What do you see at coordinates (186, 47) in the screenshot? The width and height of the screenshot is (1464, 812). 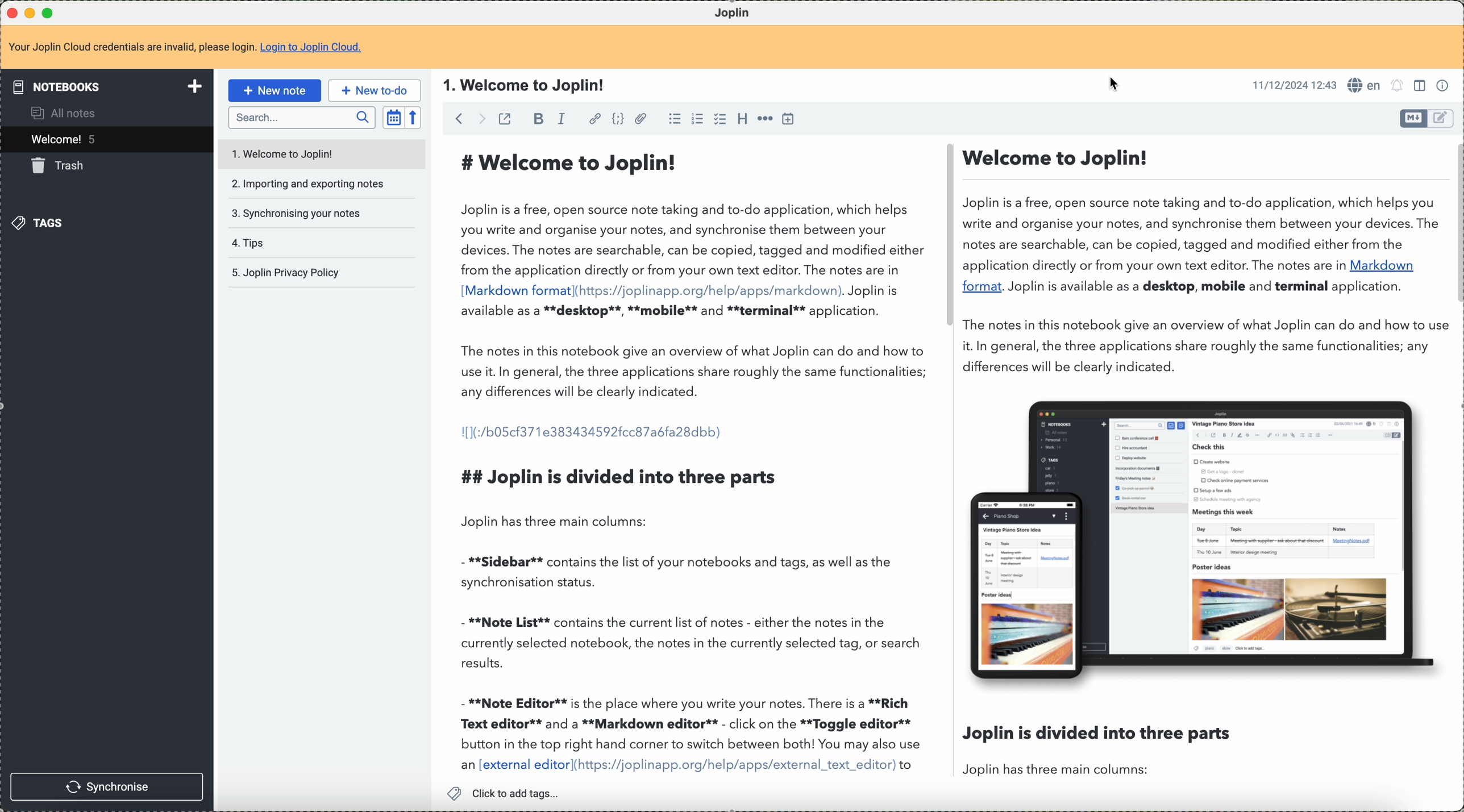 I see `your Joplin Cloud credentials are invalid, please login to Joplin Cloud` at bounding box center [186, 47].